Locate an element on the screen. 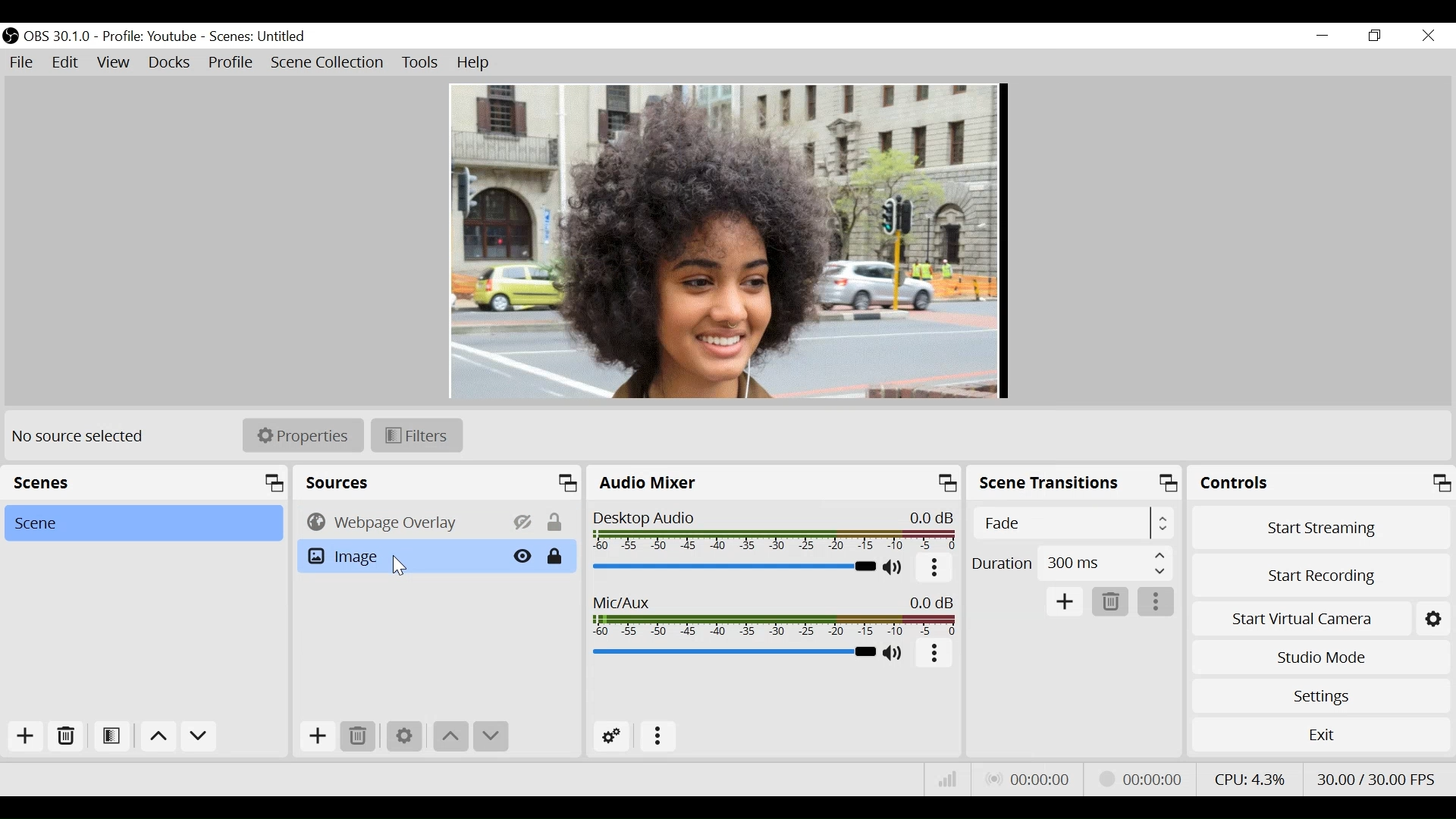 The height and width of the screenshot is (819, 1456). Scene Collection is located at coordinates (330, 63).